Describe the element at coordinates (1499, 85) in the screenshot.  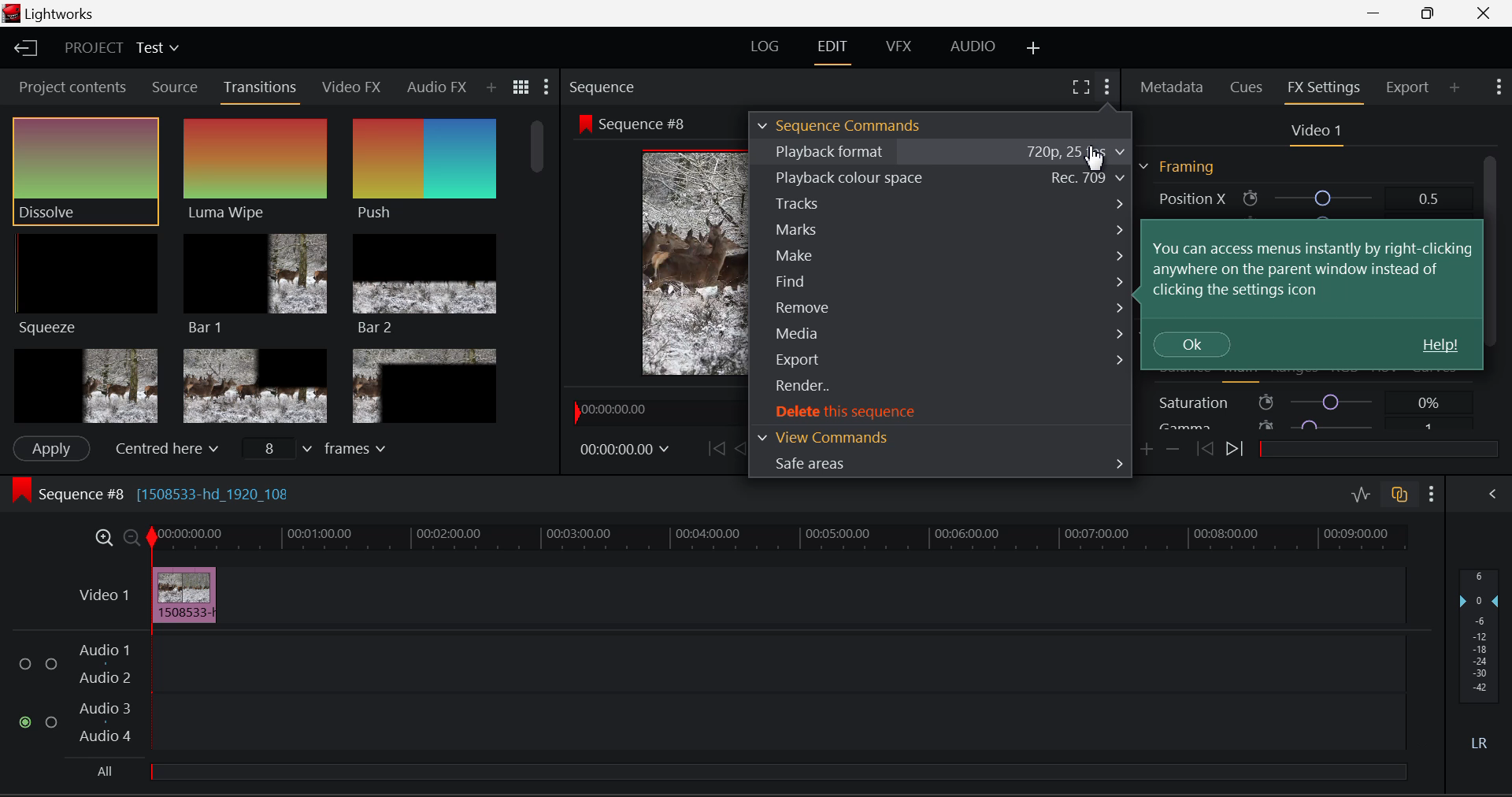
I see `Show Settings` at that location.